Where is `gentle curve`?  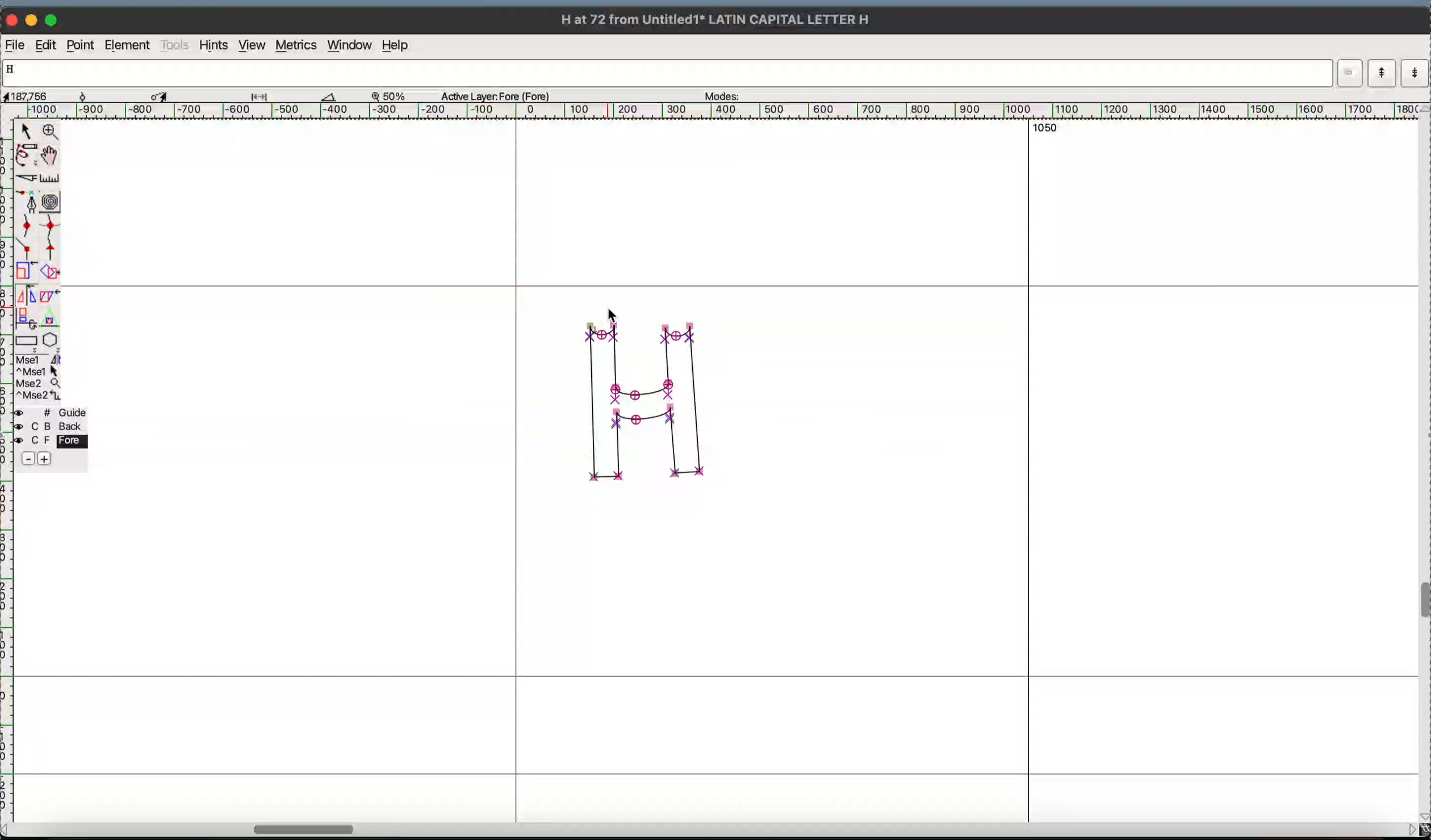 gentle curve is located at coordinates (28, 228).